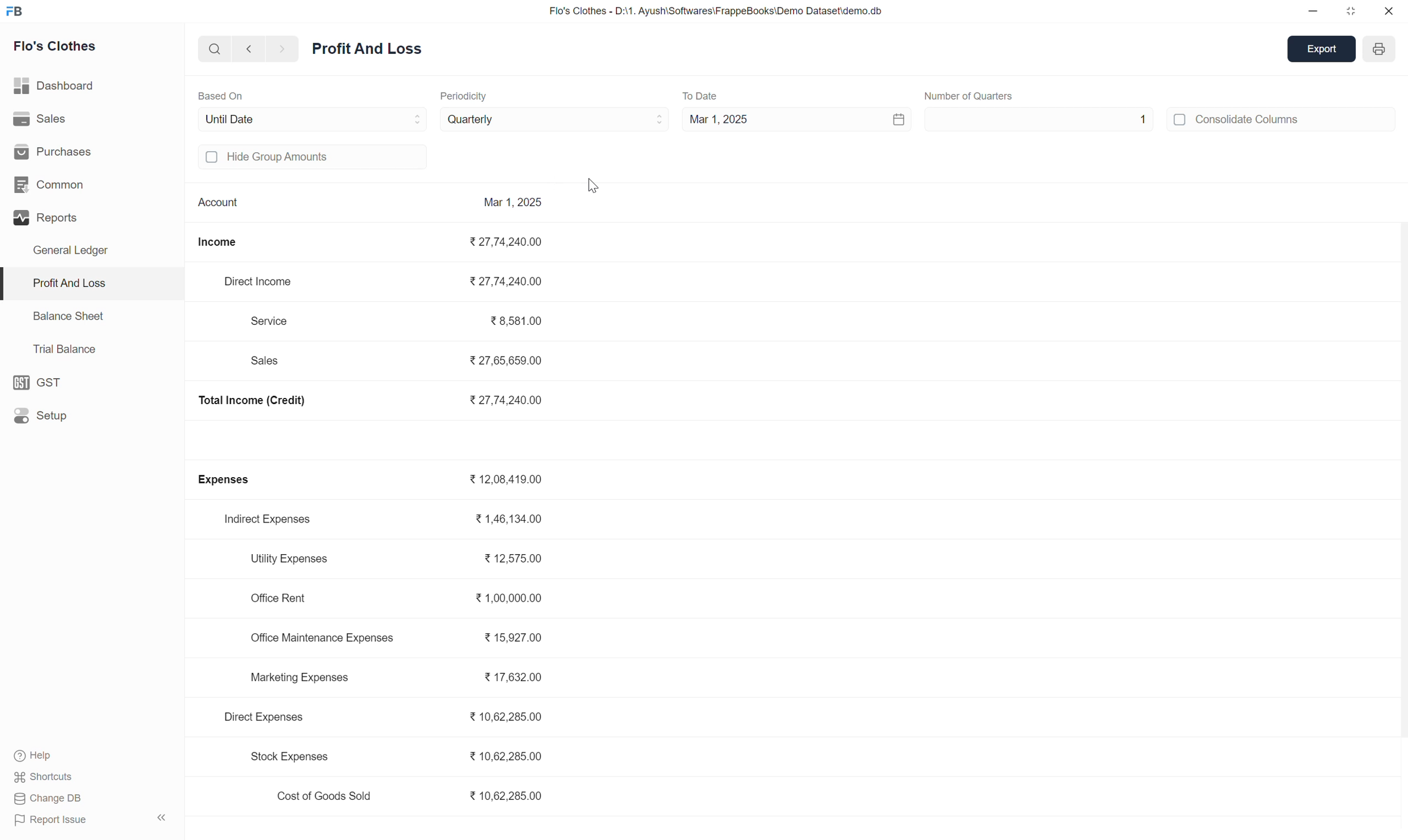 The image size is (1408, 840). I want to click on Number of Months, so click(974, 93).